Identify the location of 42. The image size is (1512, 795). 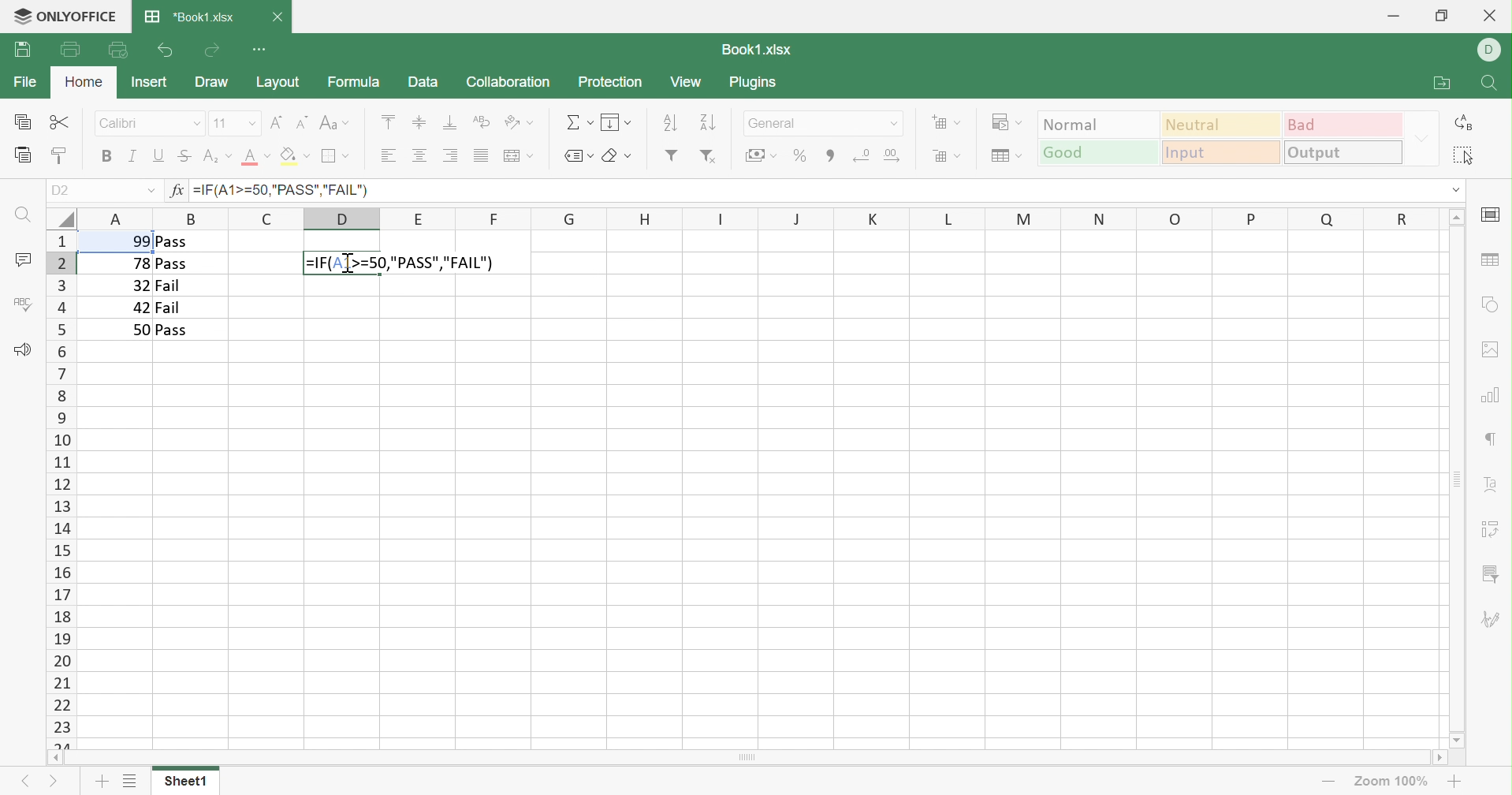
(141, 308).